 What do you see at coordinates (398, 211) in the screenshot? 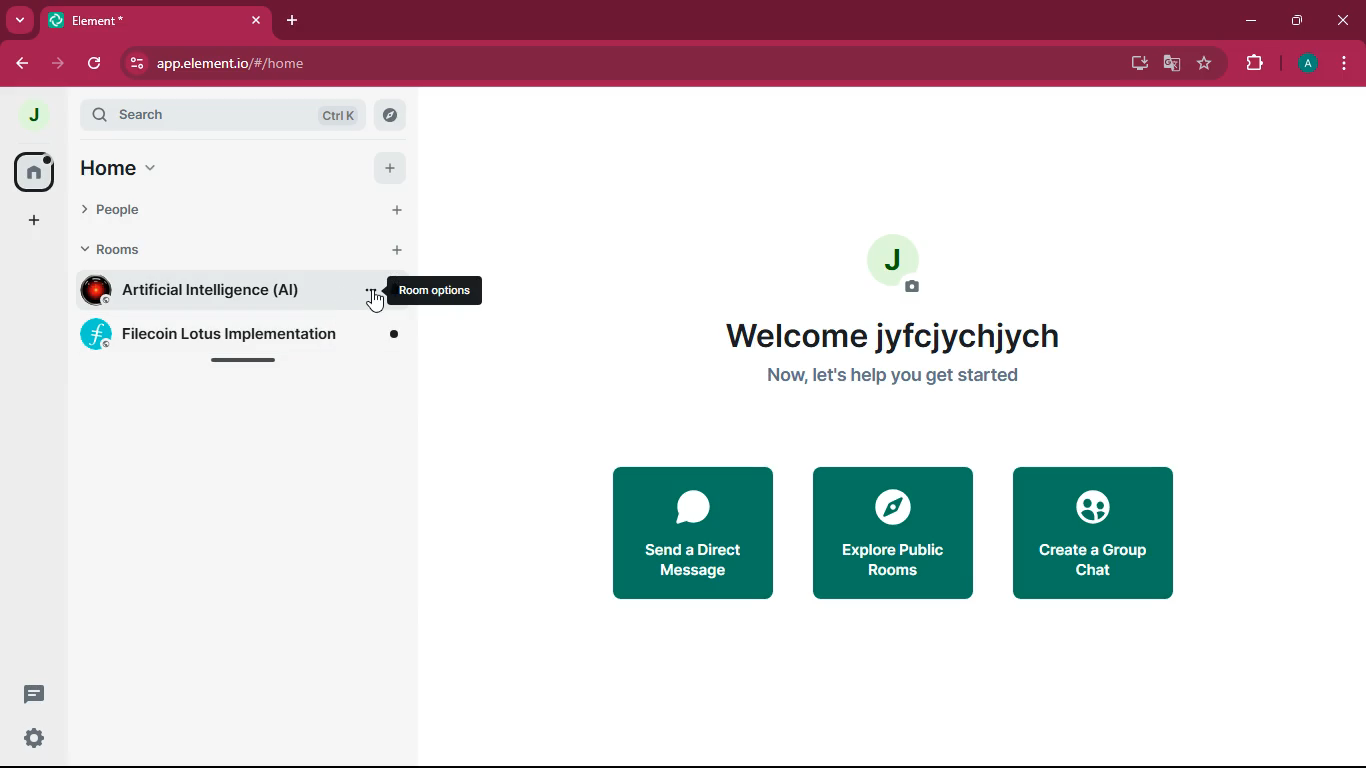
I see `add people` at bounding box center [398, 211].